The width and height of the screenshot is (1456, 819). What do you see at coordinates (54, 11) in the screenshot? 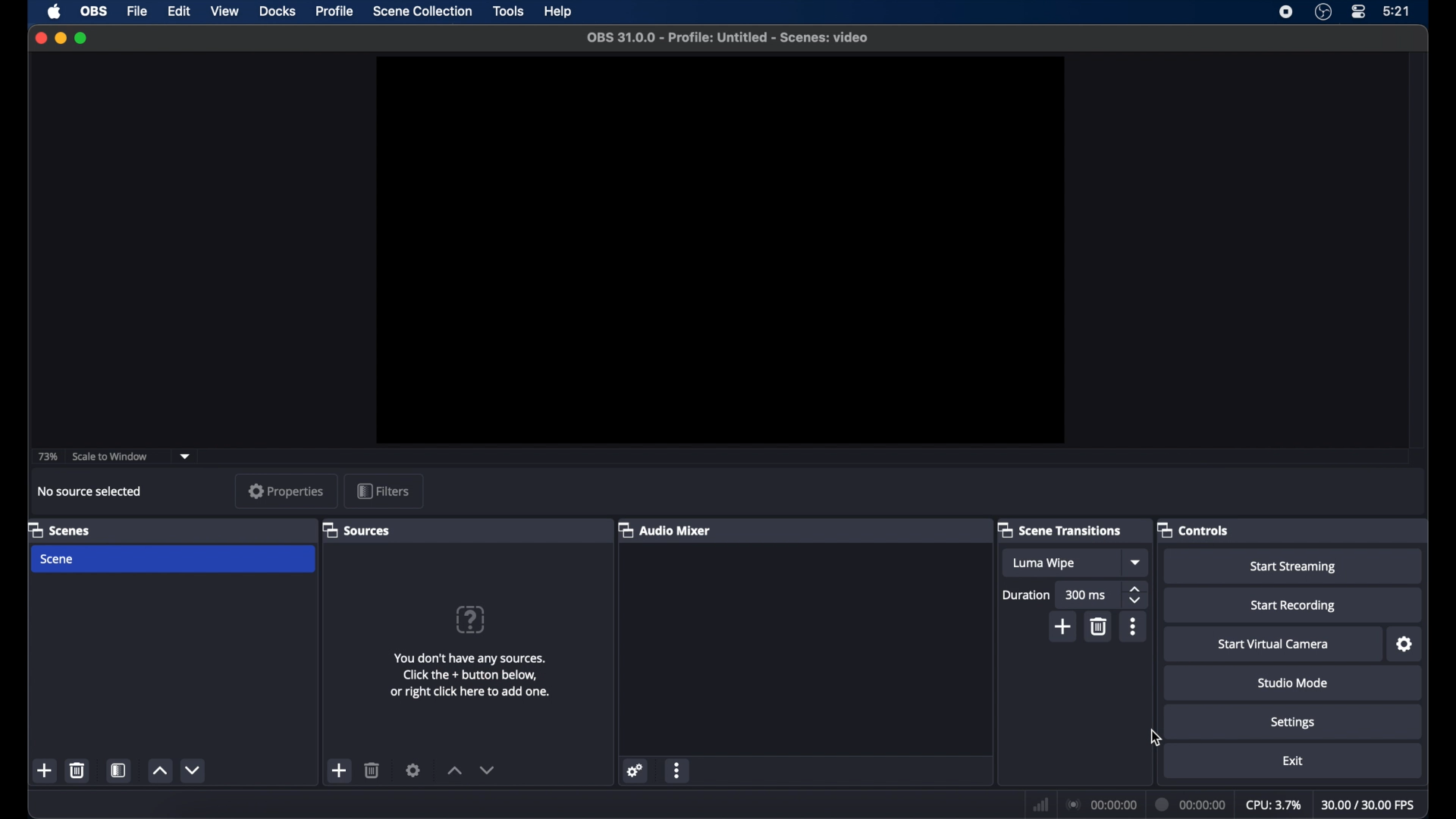
I see `apple icon` at bounding box center [54, 11].